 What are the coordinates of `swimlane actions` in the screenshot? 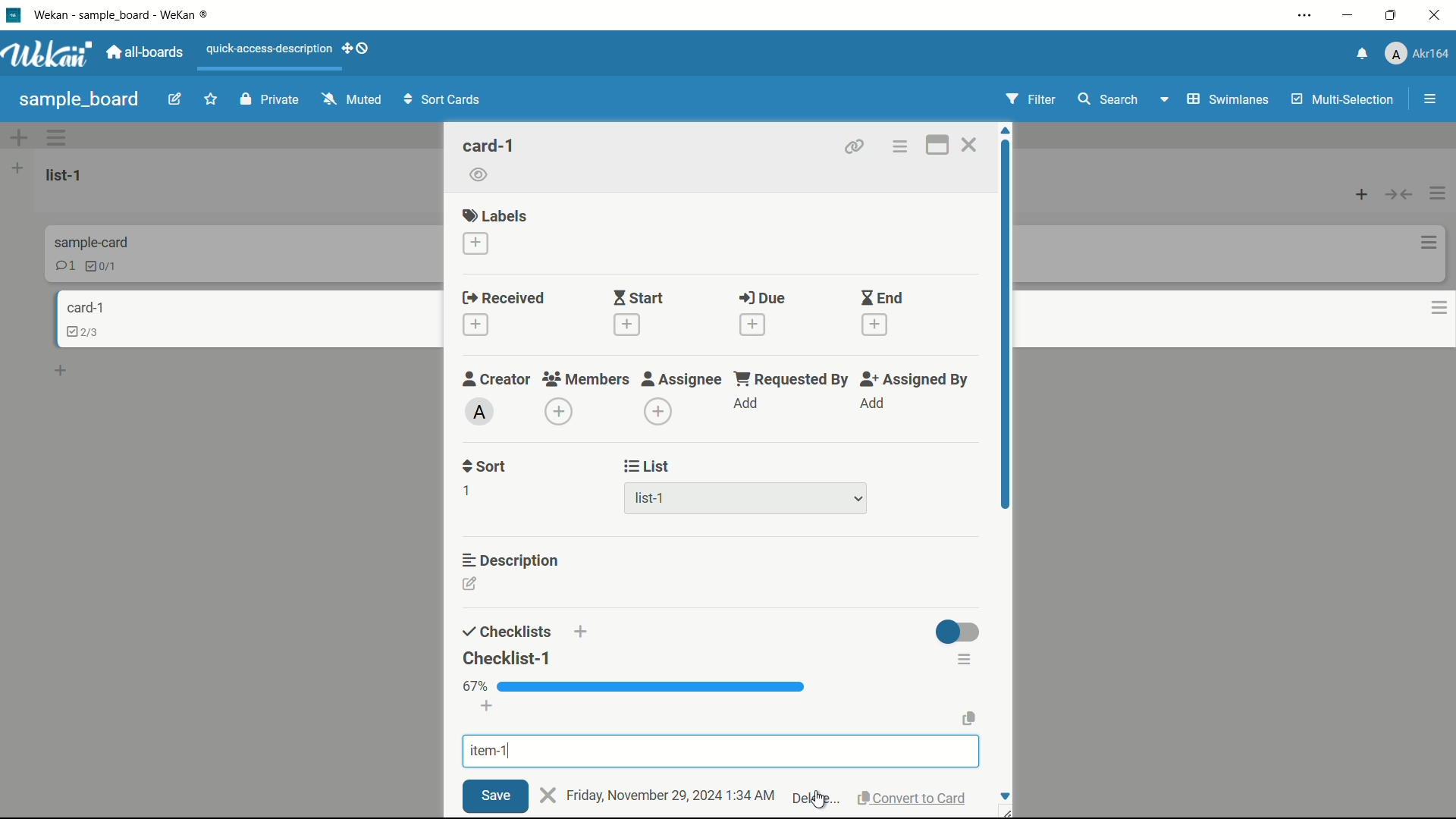 It's located at (58, 137).